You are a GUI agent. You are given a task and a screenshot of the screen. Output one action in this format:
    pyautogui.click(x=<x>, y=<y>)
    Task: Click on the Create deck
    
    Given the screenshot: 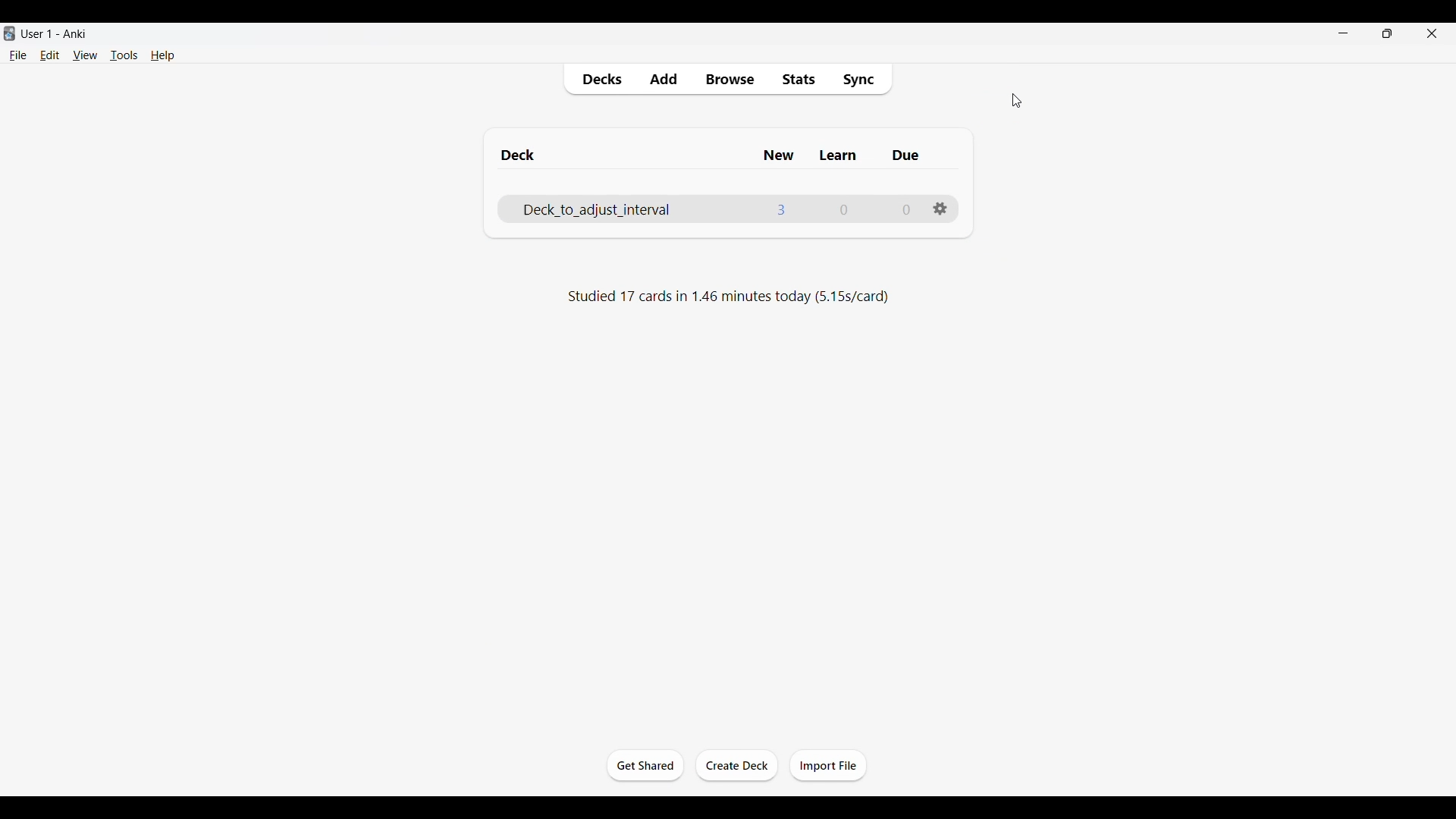 What is the action you would take?
    pyautogui.click(x=736, y=765)
    